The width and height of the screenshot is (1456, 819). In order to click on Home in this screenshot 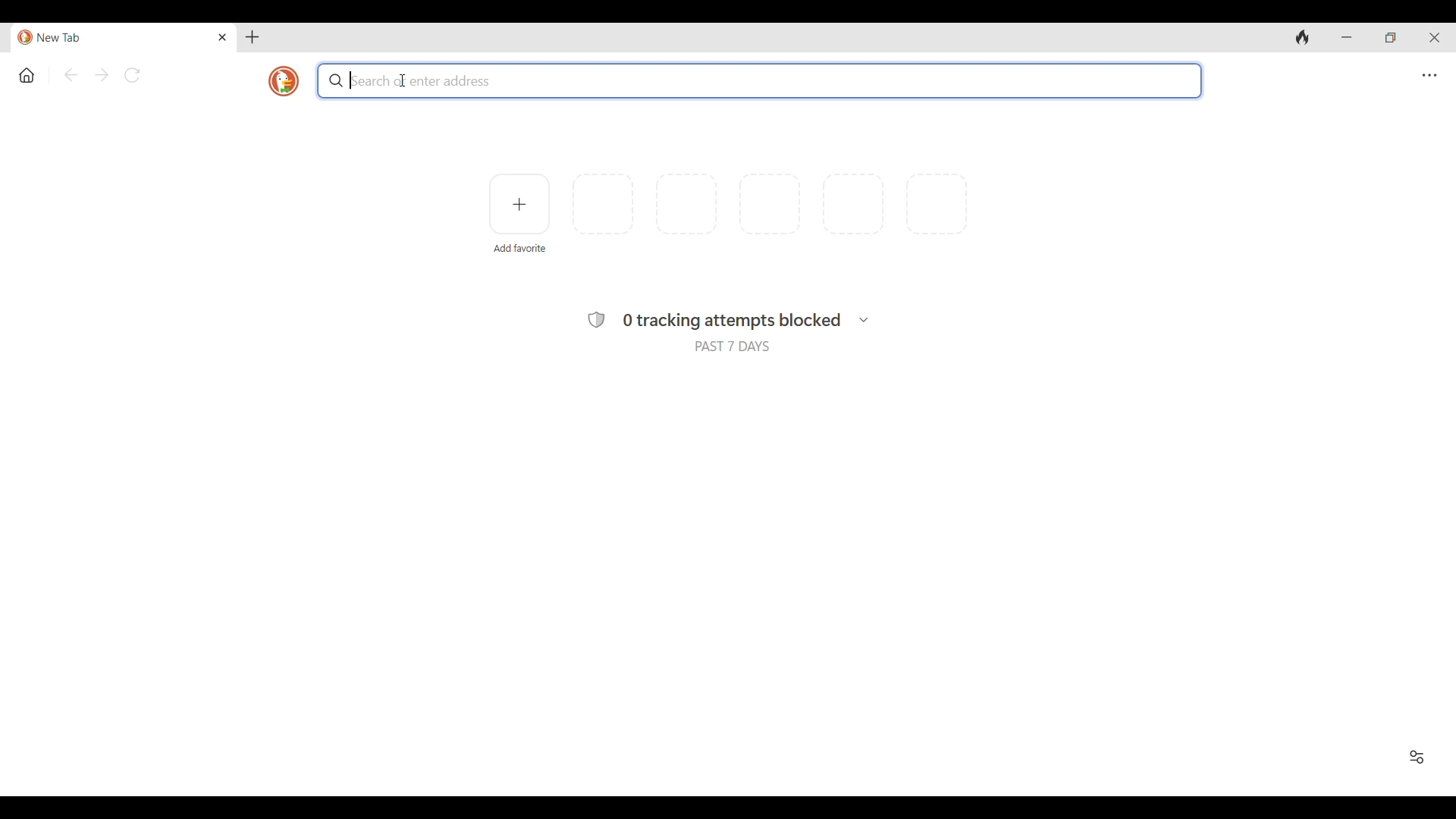, I will do `click(27, 75)`.